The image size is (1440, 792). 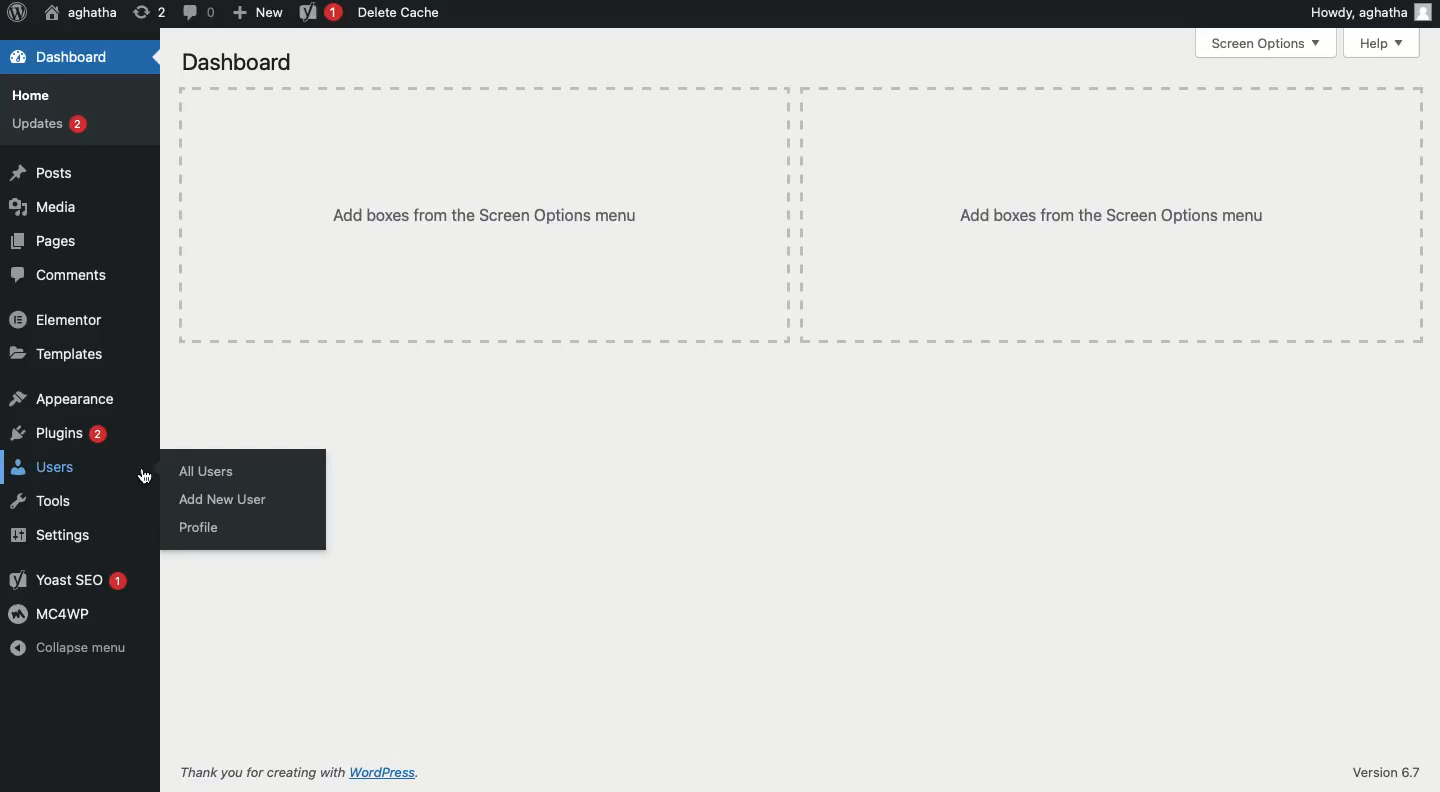 What do you see at coordinates (150, 11) in the screenshot?
I see `Revision` at bounding box center [150, 11].